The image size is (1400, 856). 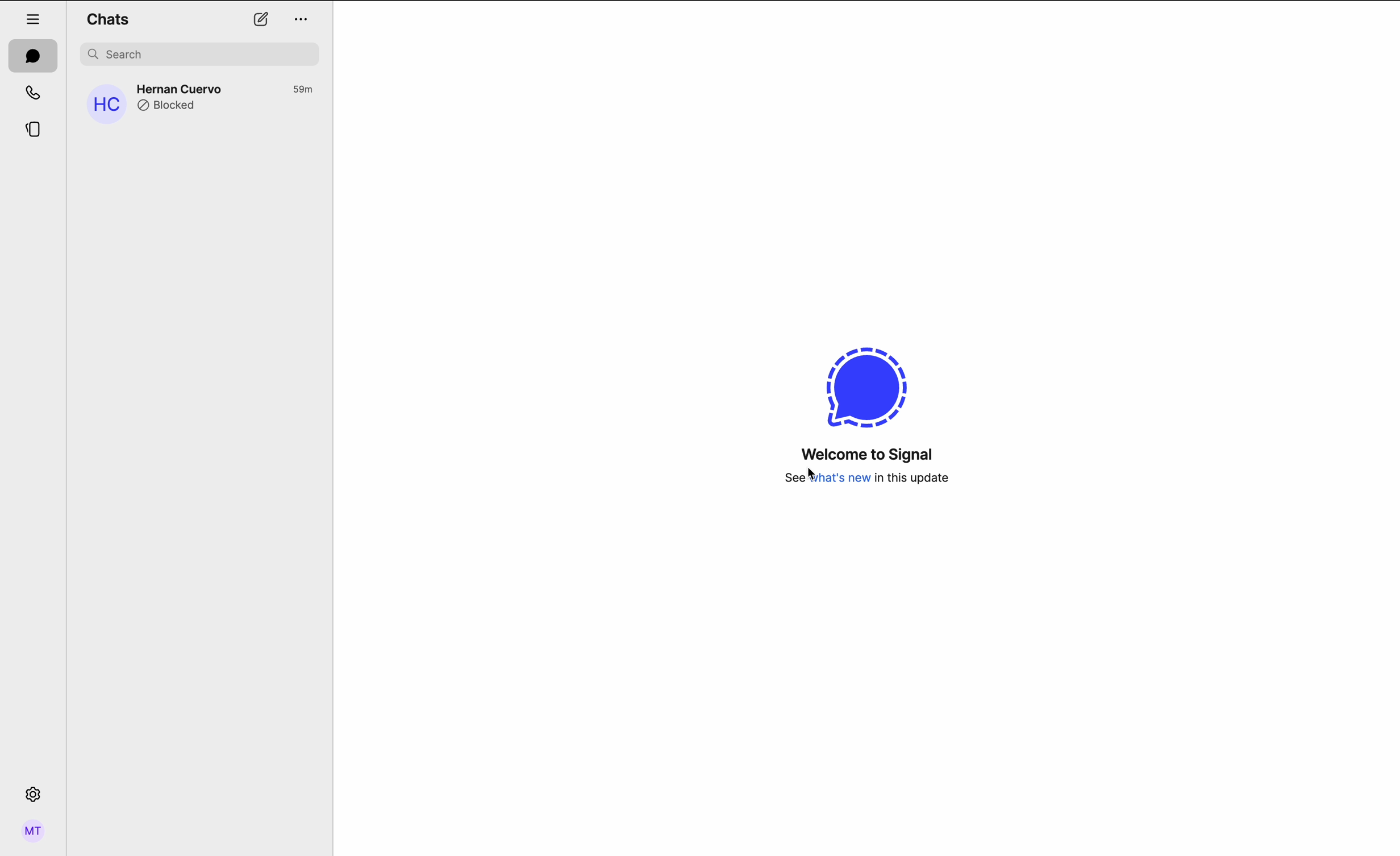 What do you see at coordinates (198, 101) in the screenshot?
I see `Hernan Cuervo blocked` at bounding box center [198, 101].